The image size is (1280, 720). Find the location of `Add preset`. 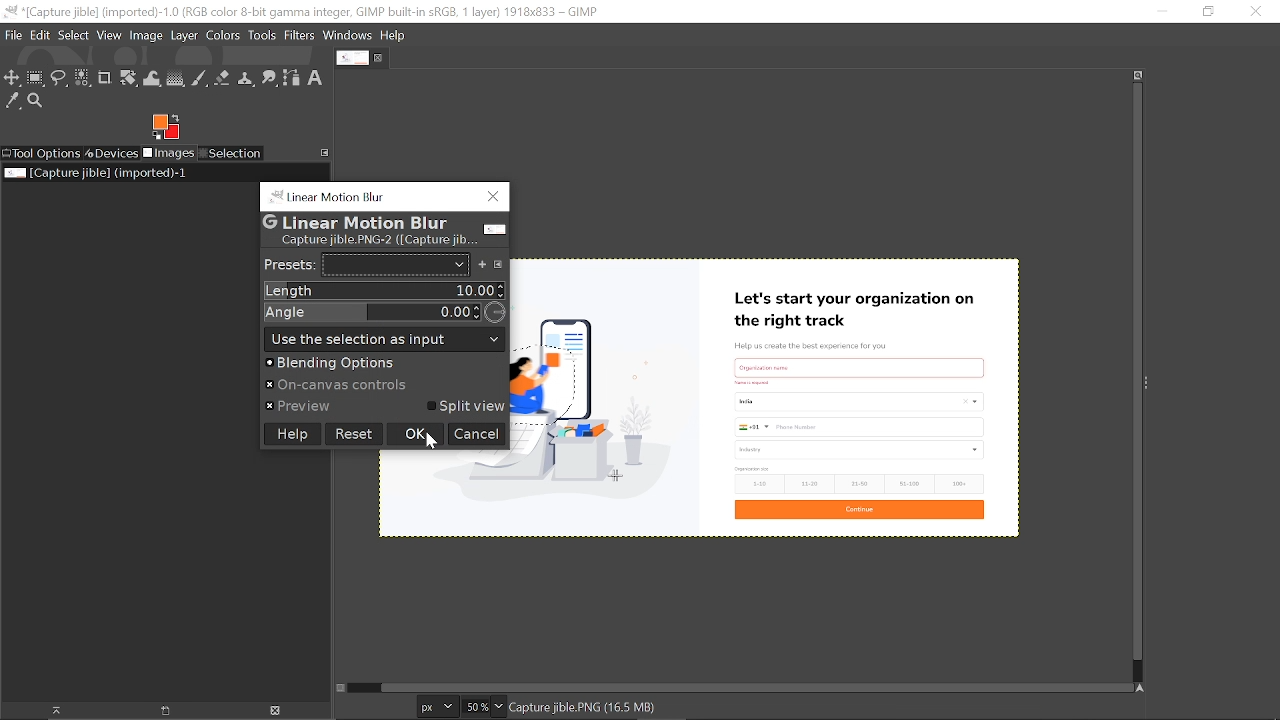

Add preset is located at coordinates (483, 264).